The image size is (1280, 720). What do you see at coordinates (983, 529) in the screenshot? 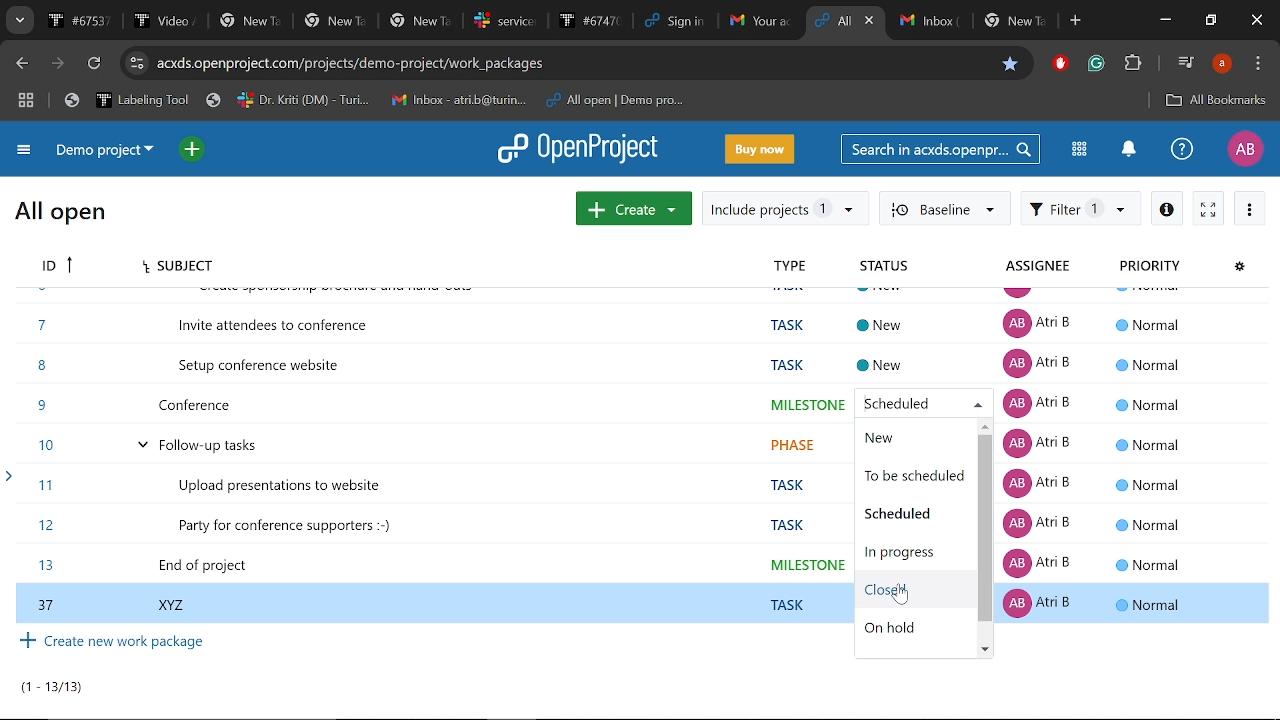
I see `Vertical scrollbar` at bounding box center [983, 529].